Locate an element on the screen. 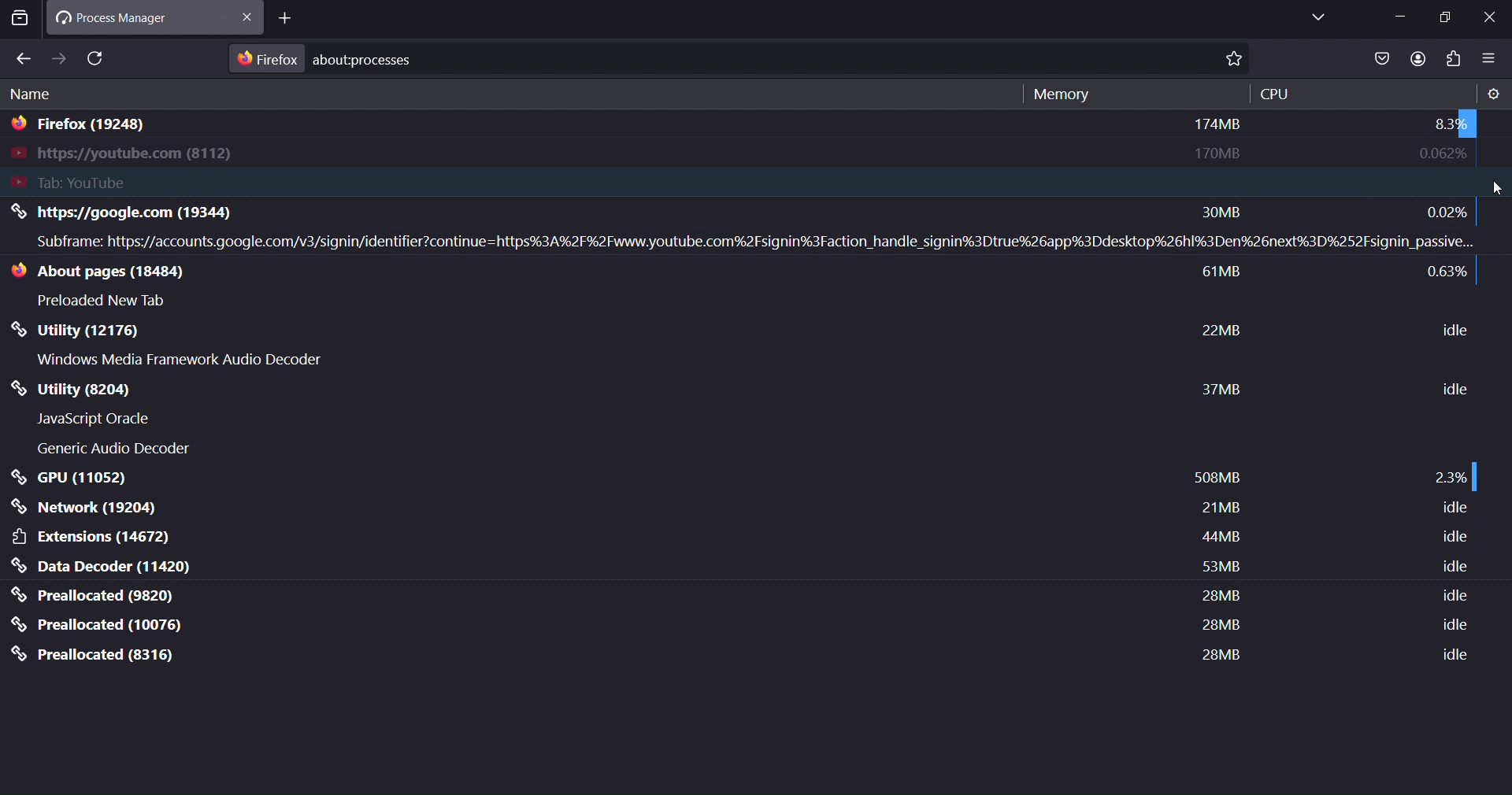 The width and height of the screenshot is (1512, 795). 53 mb is located at coordinates (1217, 567).